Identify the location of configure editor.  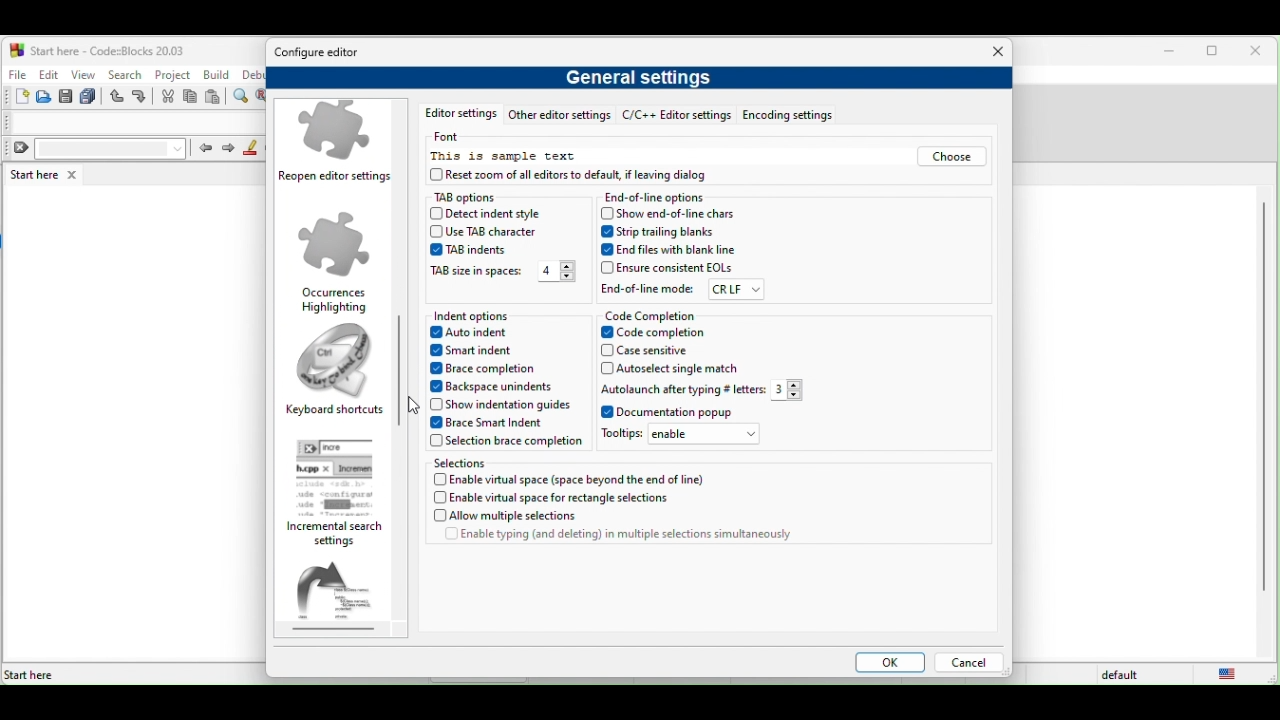
(323, 53).